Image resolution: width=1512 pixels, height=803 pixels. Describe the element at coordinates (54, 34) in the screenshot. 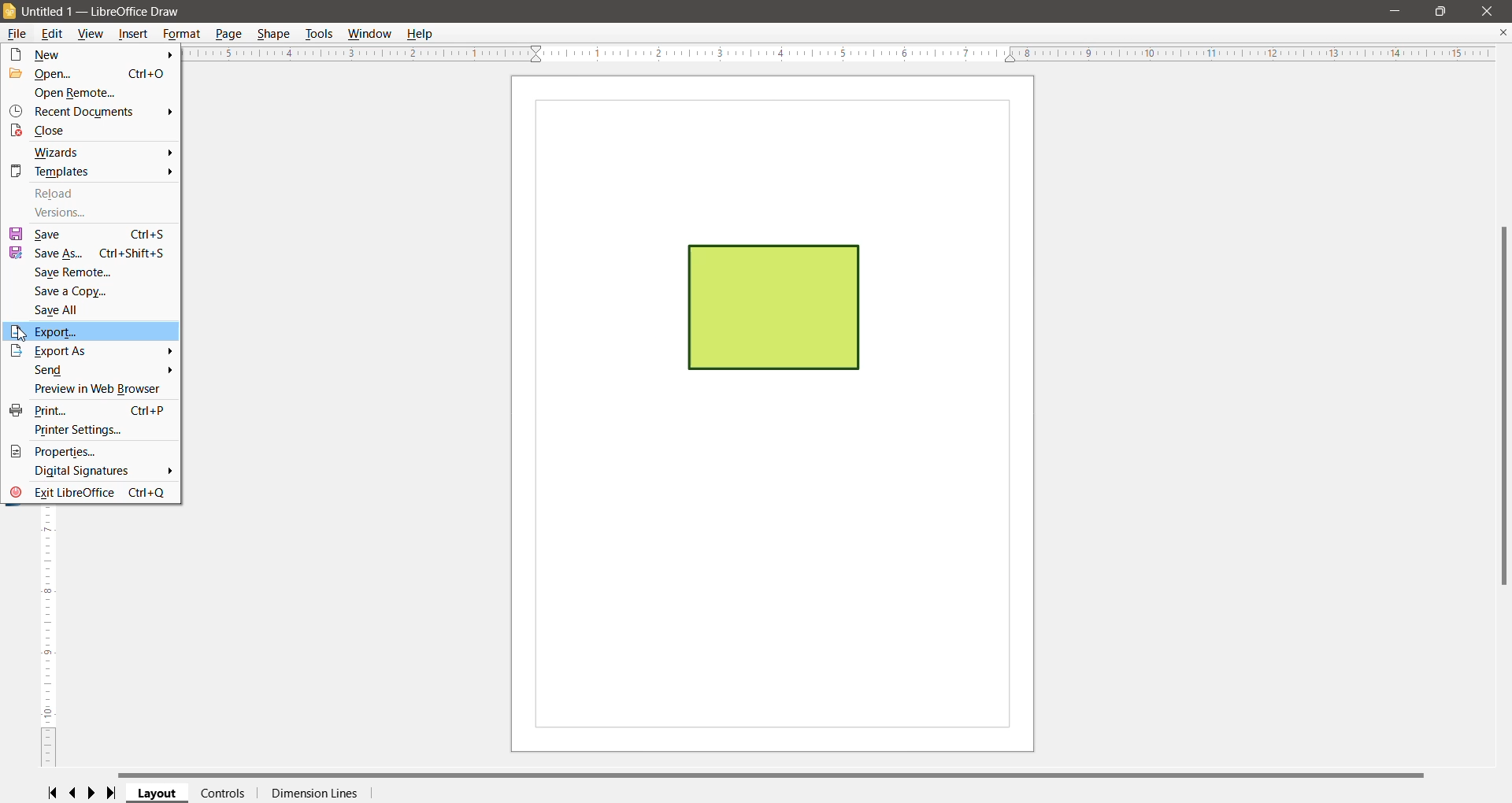

I see `Edit` at that location.